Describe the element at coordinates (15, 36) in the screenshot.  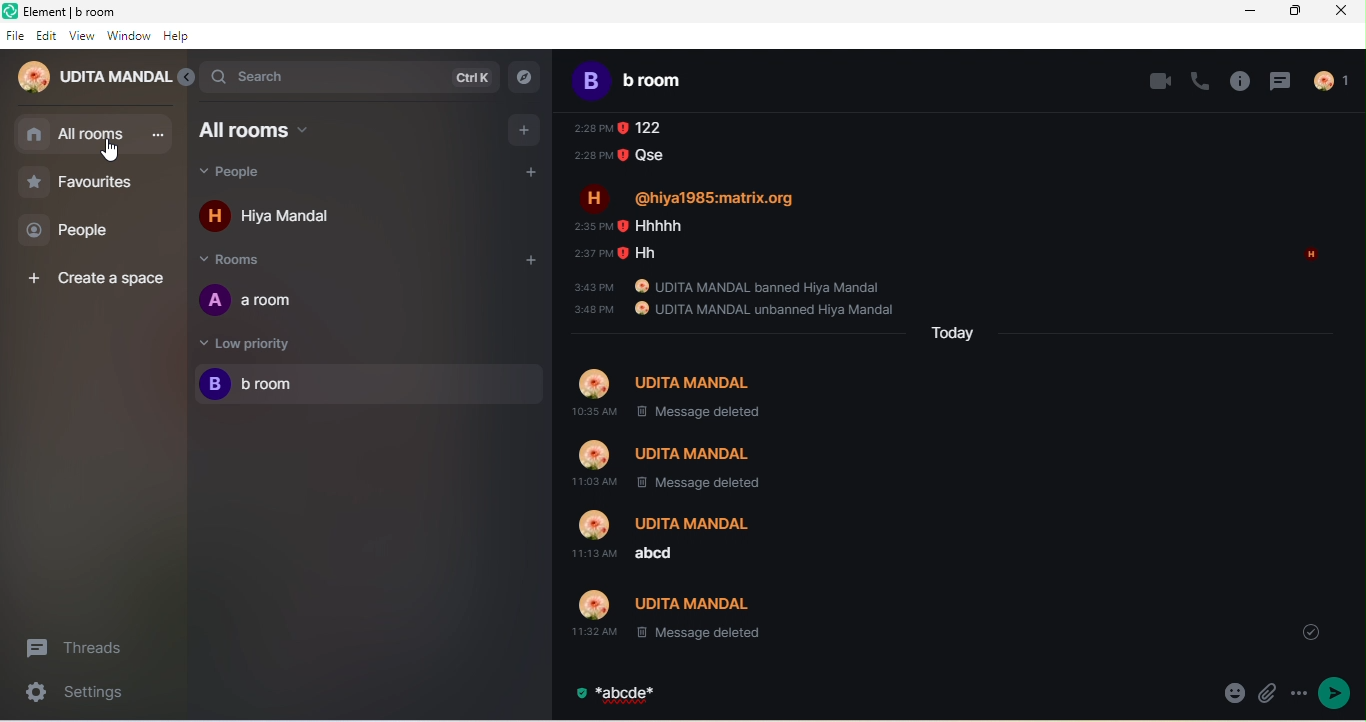
I see `file` at that location.